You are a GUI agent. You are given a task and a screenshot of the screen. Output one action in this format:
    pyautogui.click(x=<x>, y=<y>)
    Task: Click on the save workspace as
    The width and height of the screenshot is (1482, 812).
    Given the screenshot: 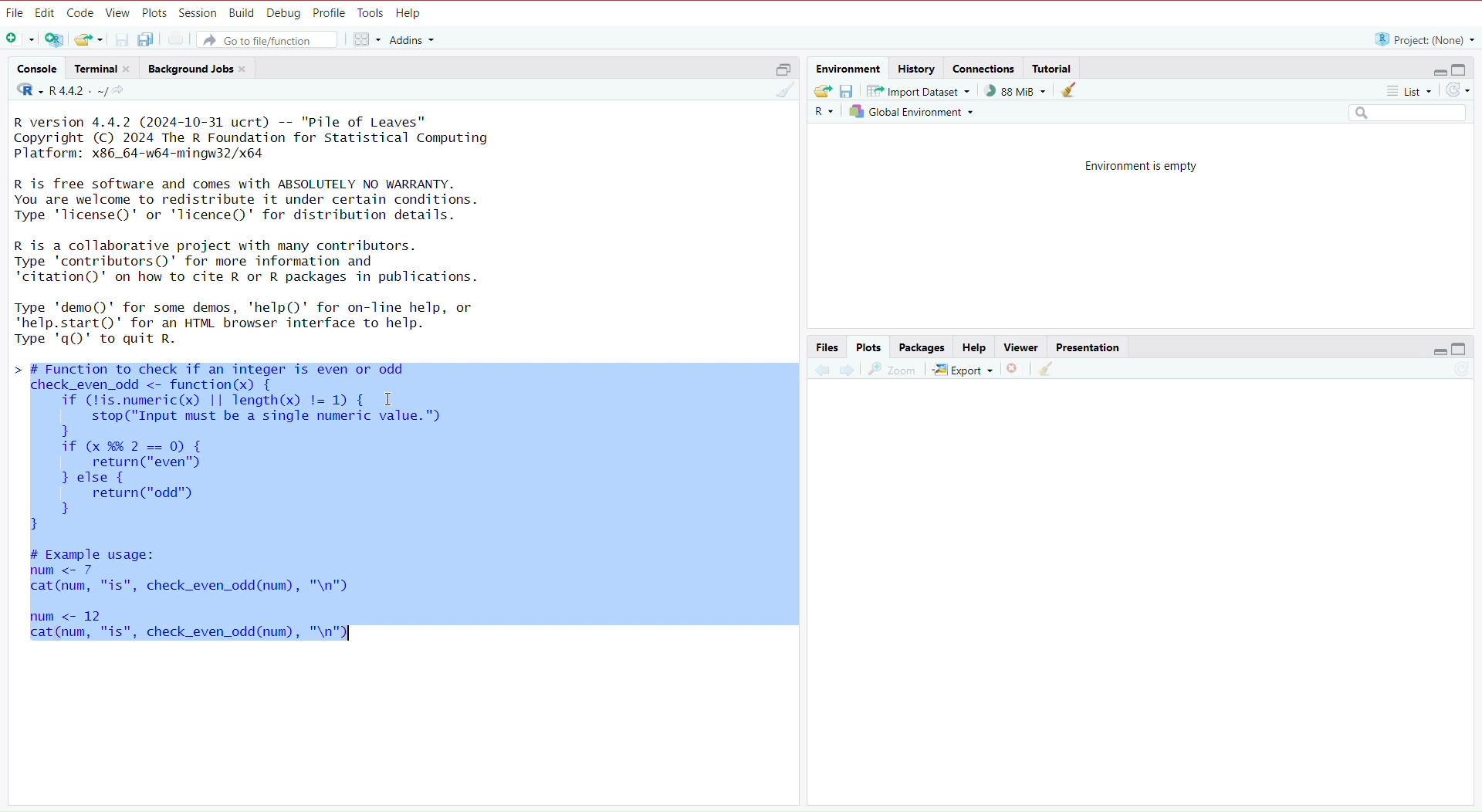 What is the action you would take?
    pyautogui.click(x=851, y=92)
    